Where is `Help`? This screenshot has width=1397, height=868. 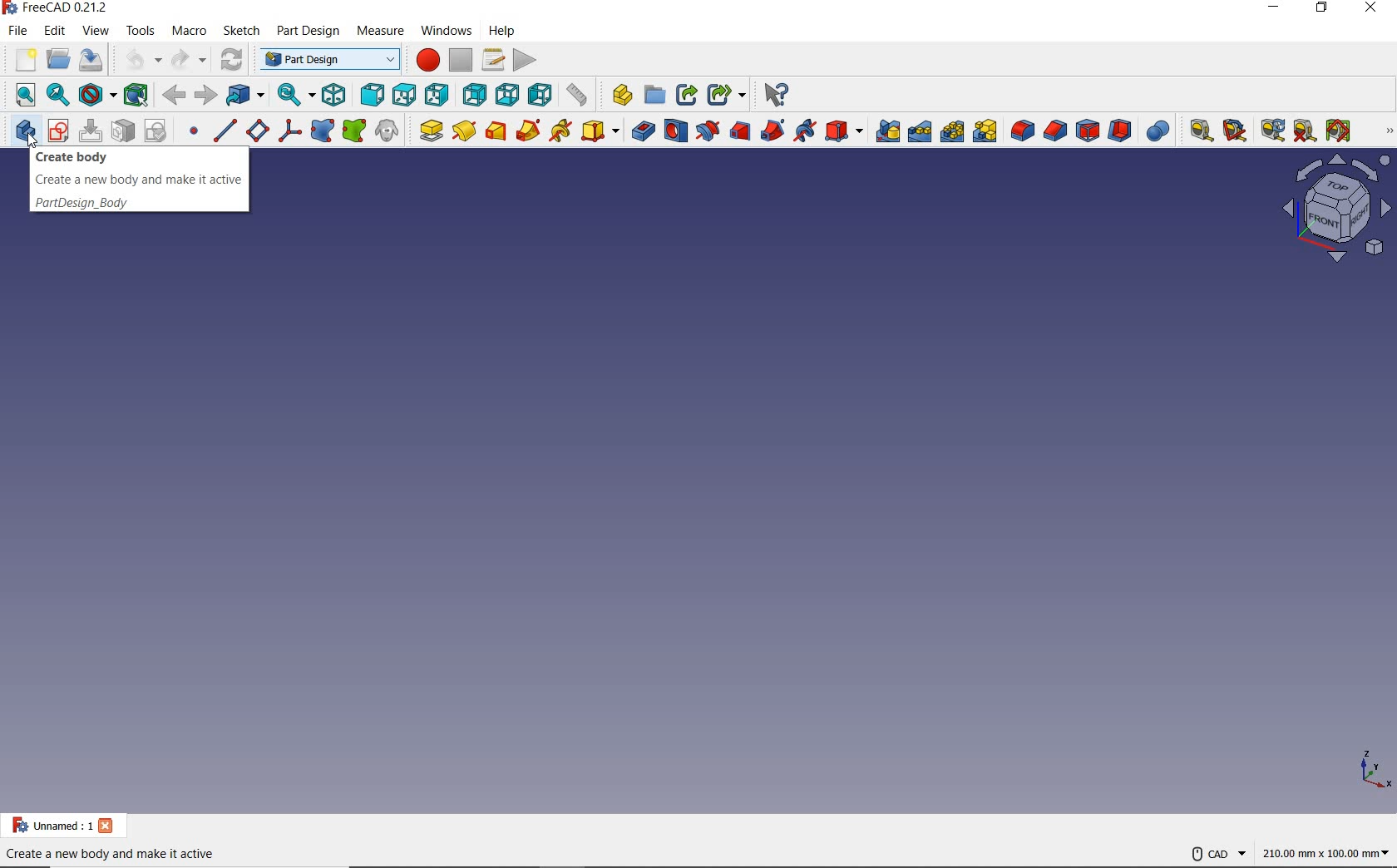 Help is located at coordinates (502, 32).